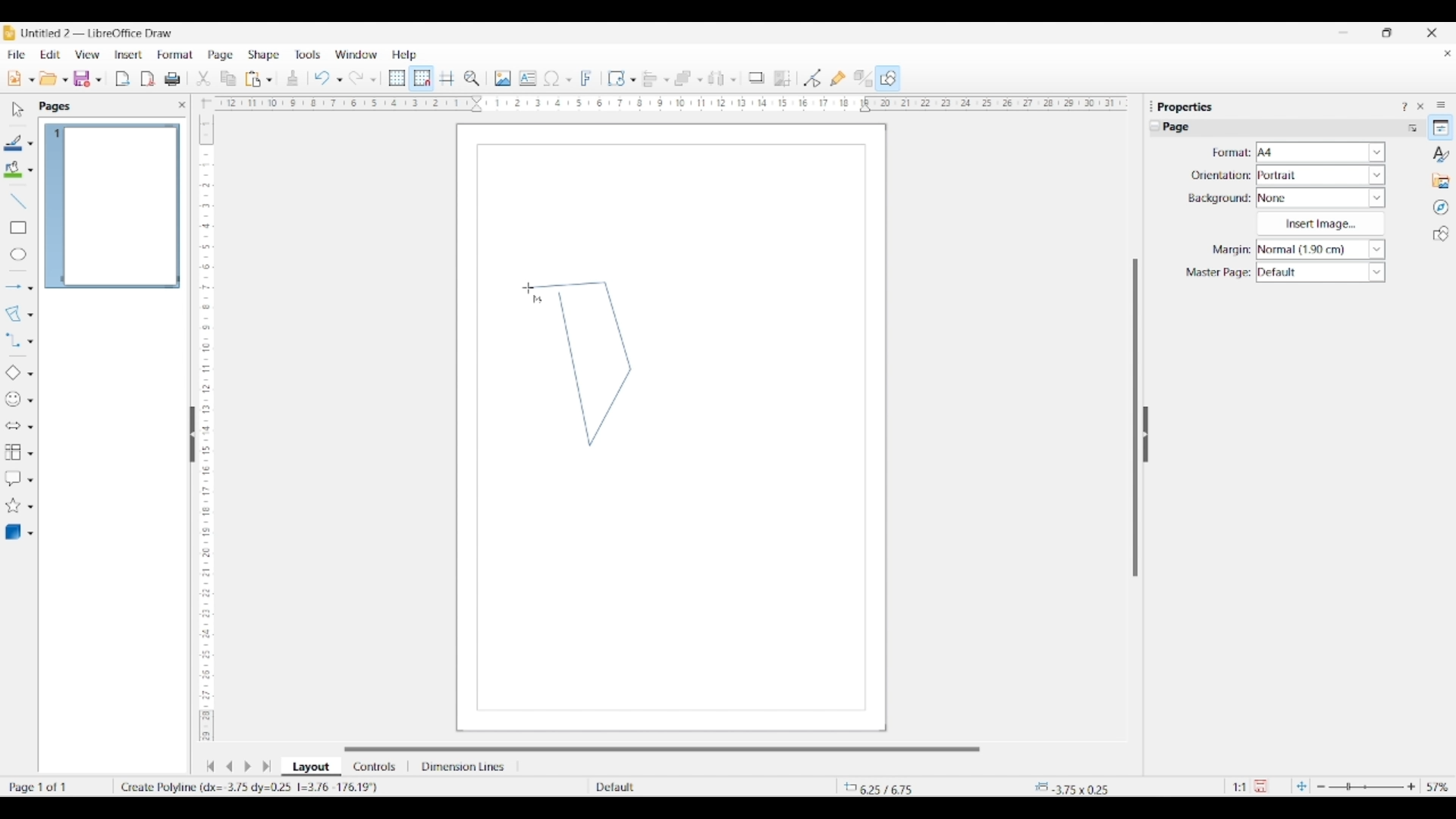 Image resolution: width=1456 pixels, height=819 pixels. Describe the element at coordinates (650, 77) in the screenshot. I see `Selected alignment` at that location.